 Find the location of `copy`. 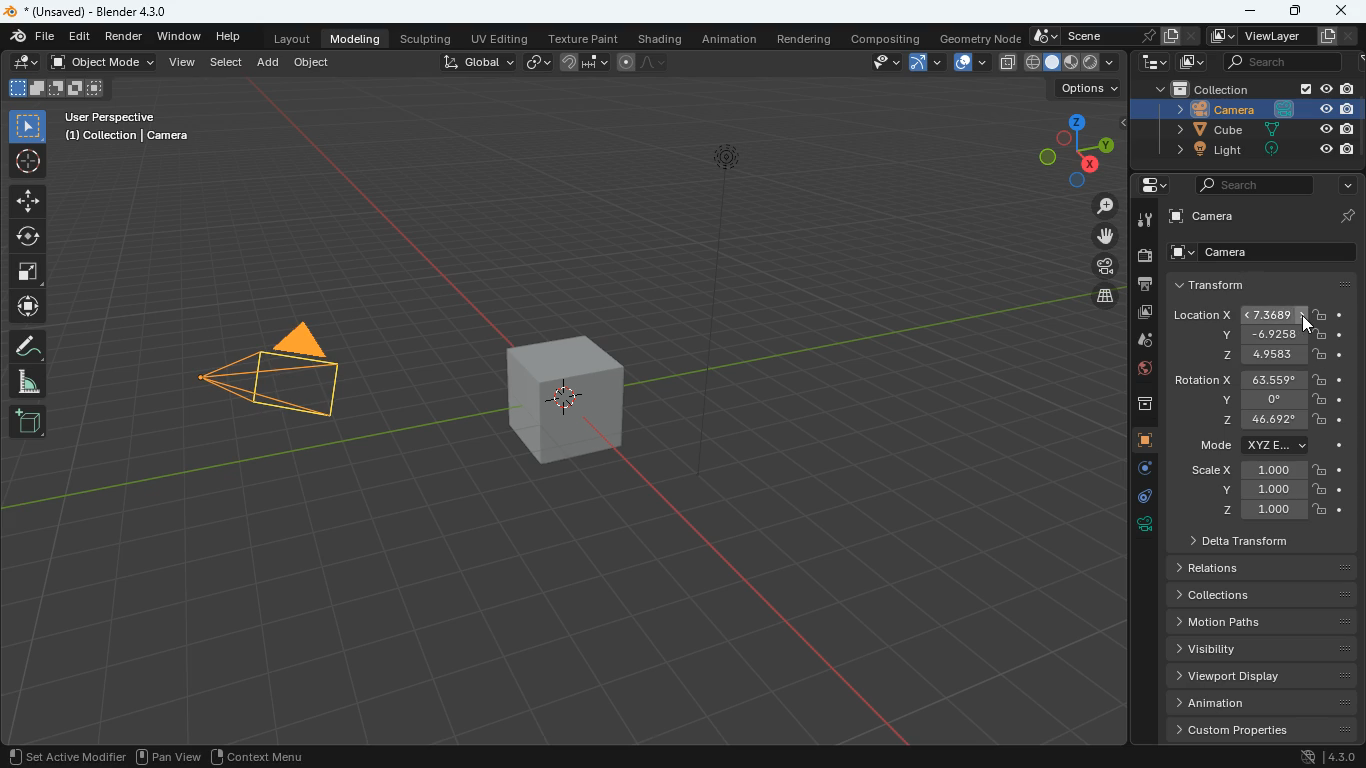

copy is located at coordinates (1171, 36).